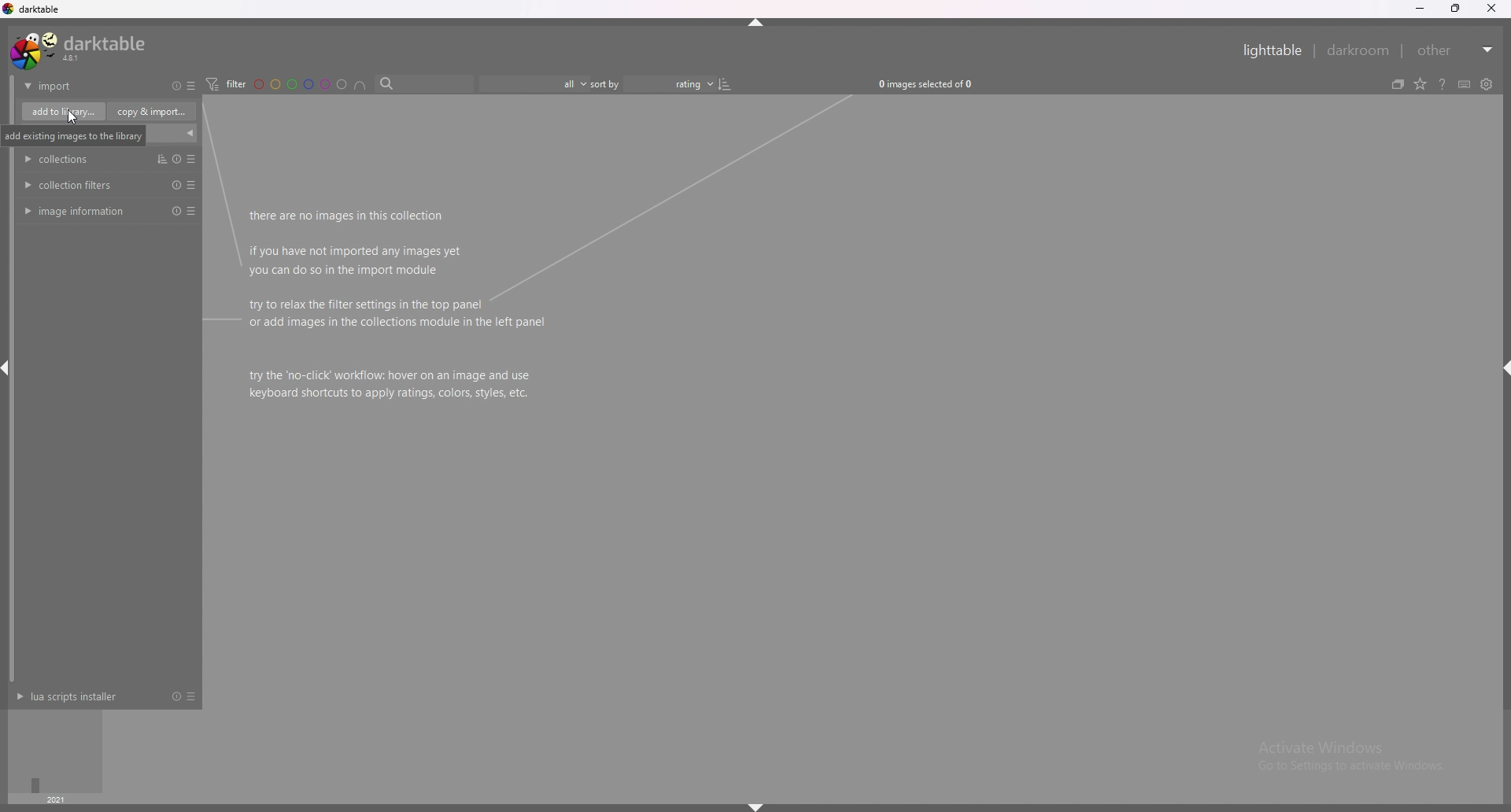 The image size is (1511, 812). What do you see at coordinates (73, 696) in the screenshot?
I see `lua scripts installer` at bounding box center [73, 696].